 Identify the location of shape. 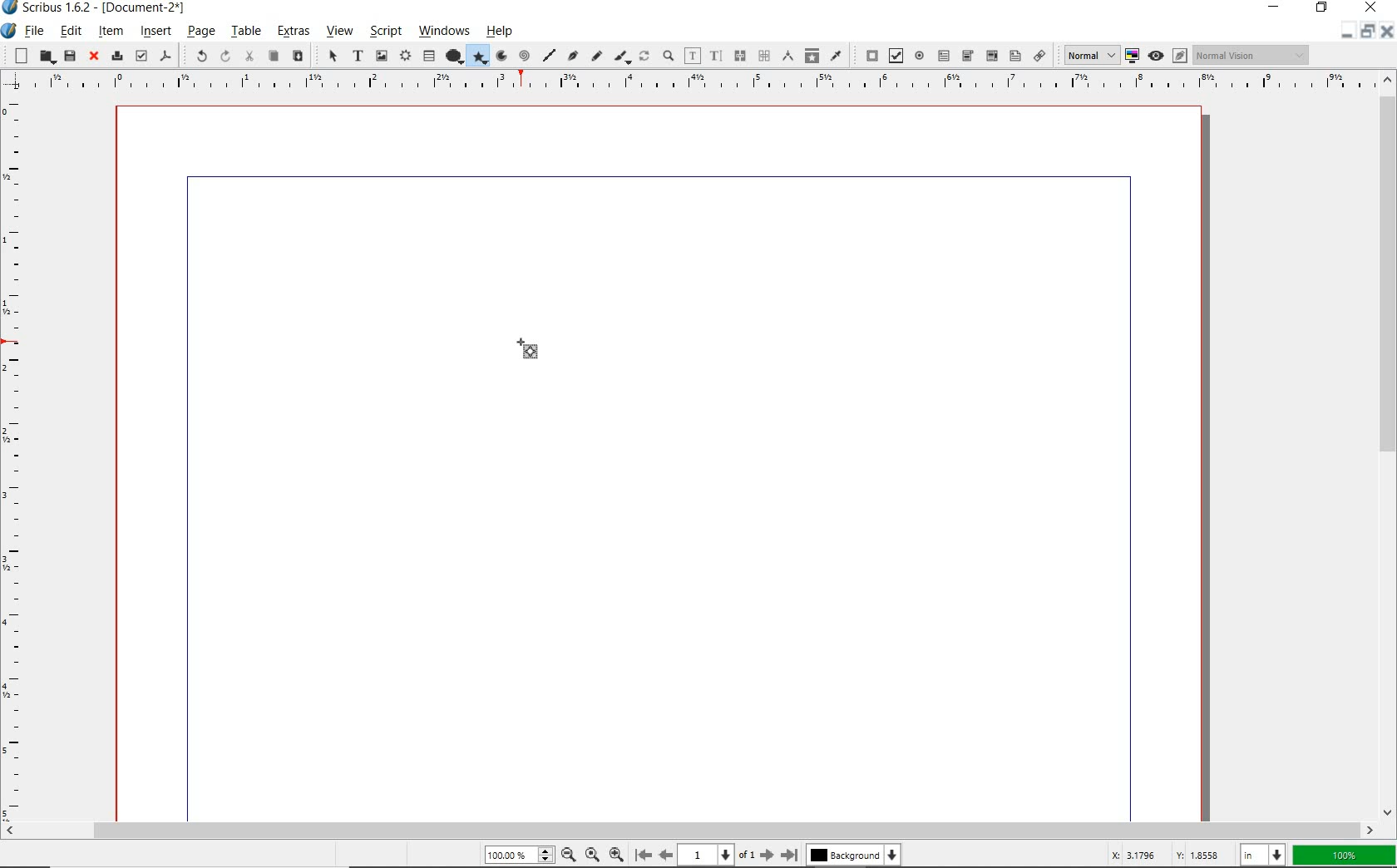
(456, 54).